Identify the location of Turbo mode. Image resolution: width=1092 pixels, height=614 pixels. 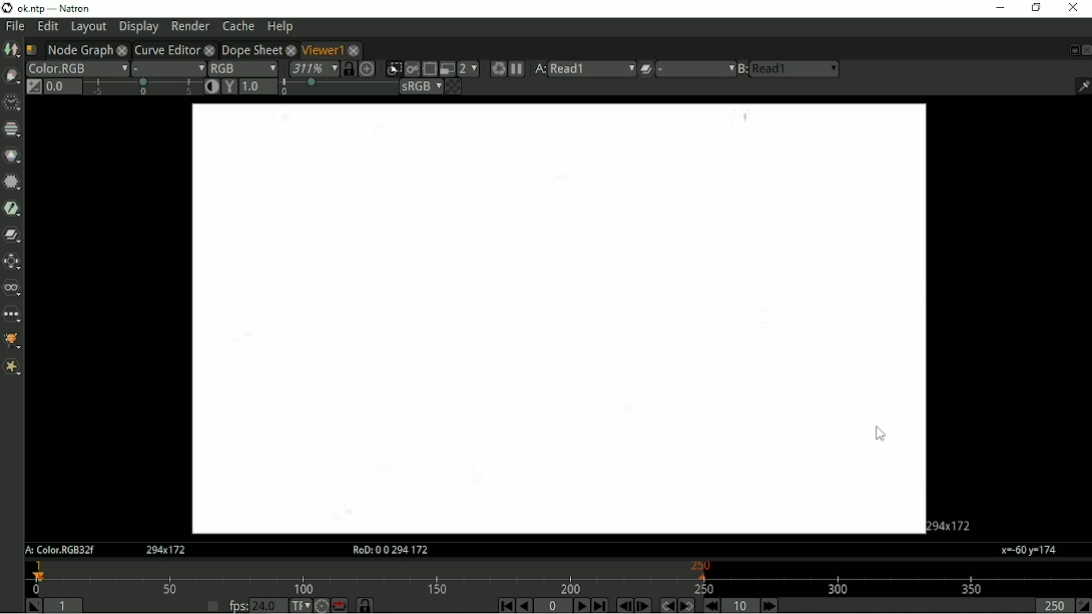
(322, 605).